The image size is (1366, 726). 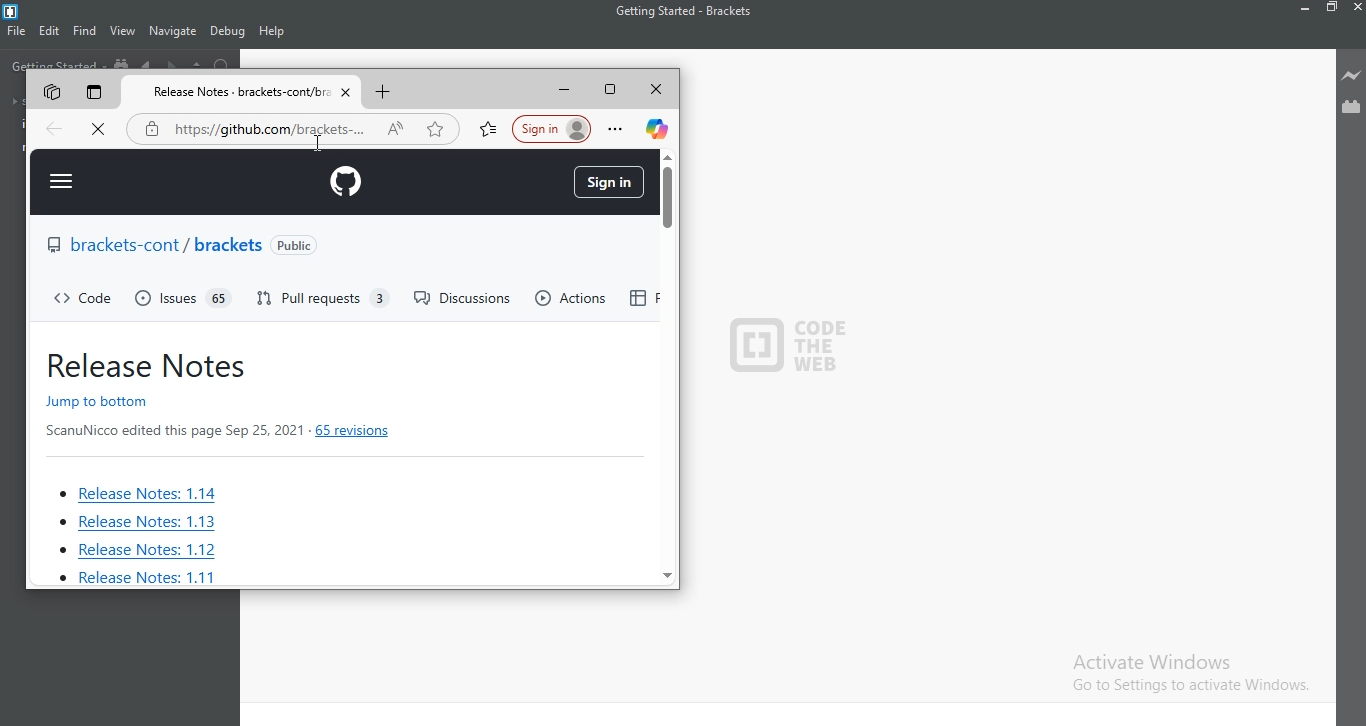 What do you see at coordinates (616, 93) in the screenshot?
I see `restore` at bounding box center [616, 93].